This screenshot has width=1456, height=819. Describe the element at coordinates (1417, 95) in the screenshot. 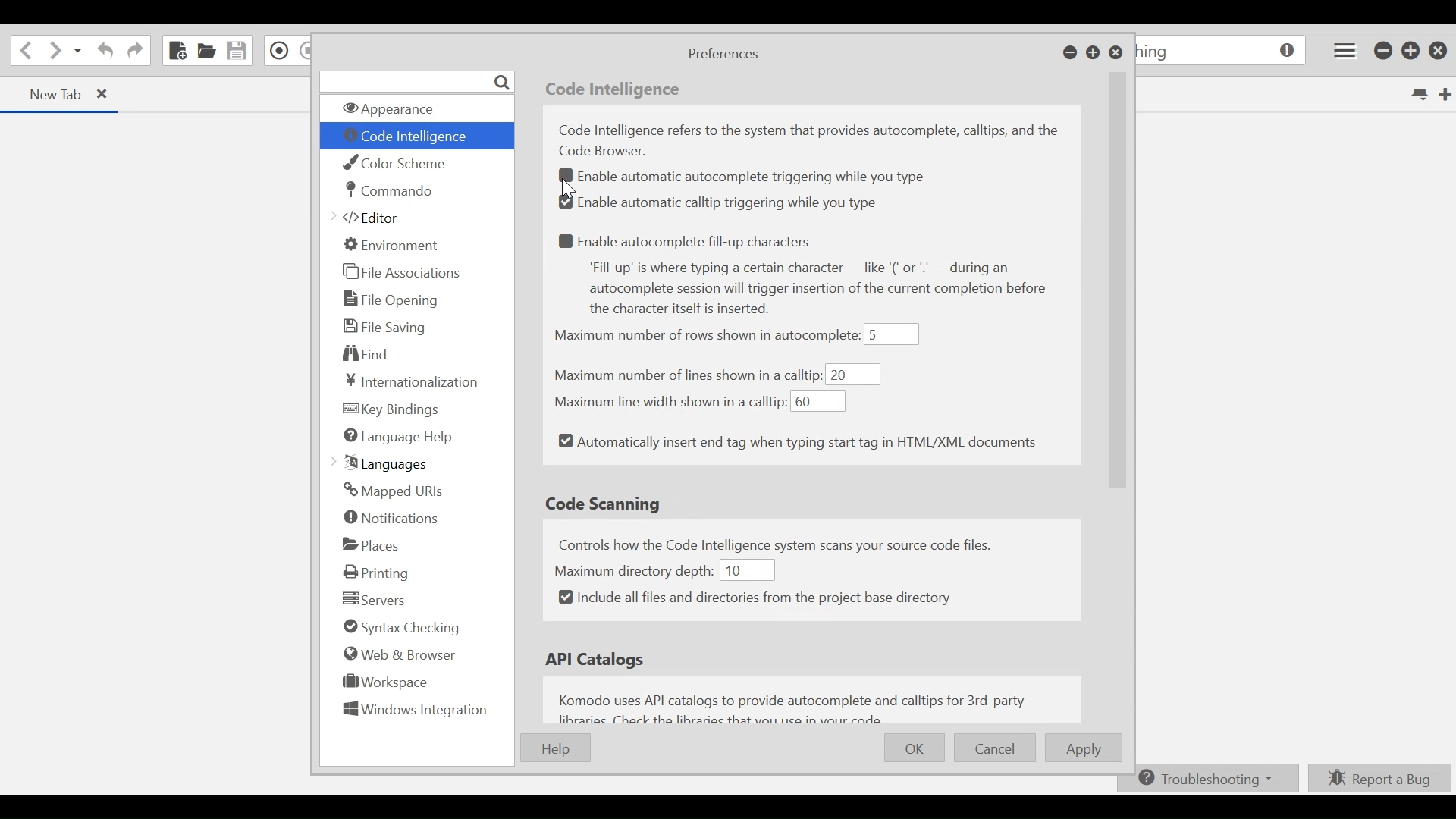

I see `List of tabs` at that location.